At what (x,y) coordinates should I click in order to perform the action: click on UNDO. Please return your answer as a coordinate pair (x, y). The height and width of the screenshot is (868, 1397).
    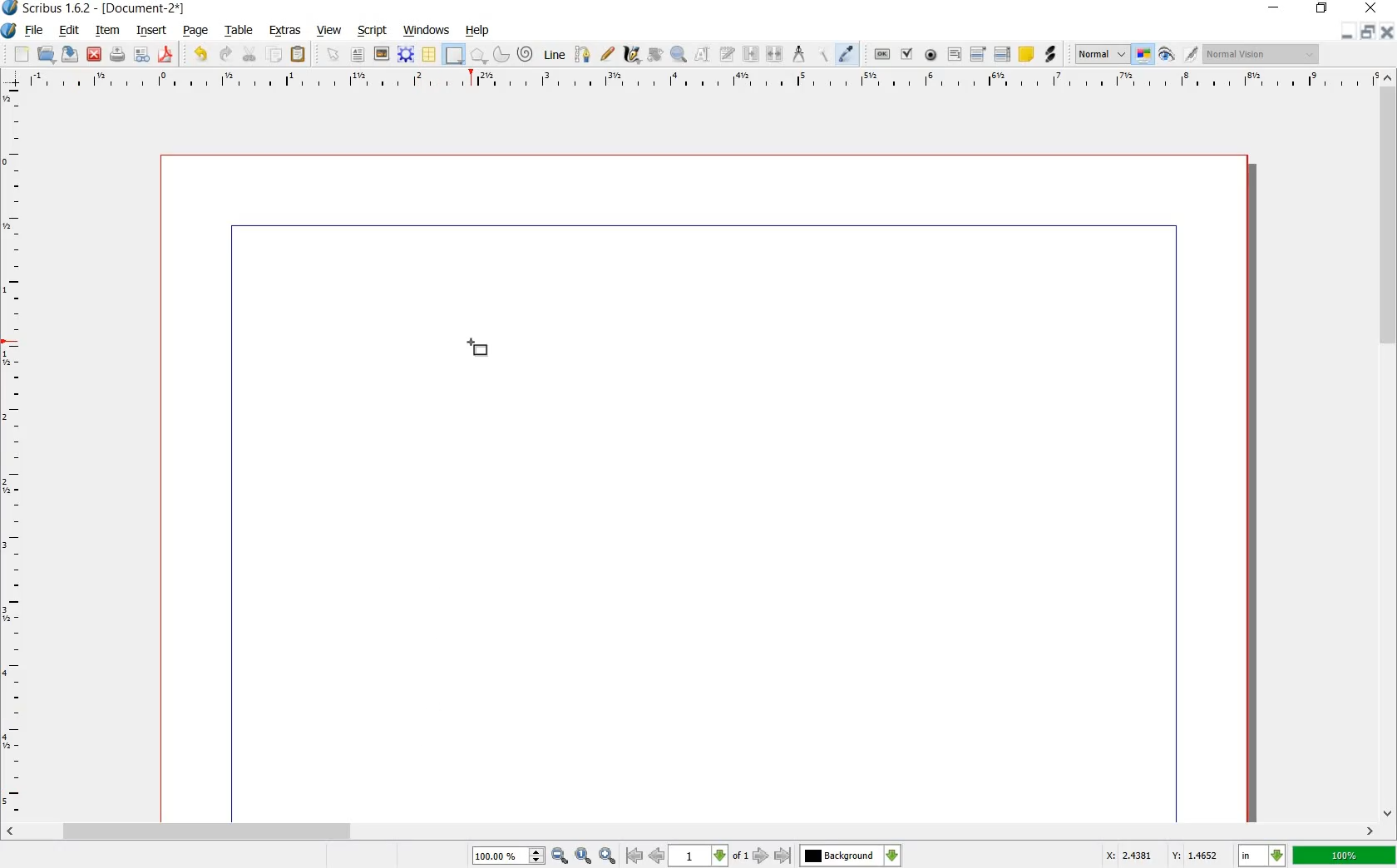
    Looking at the image, I should click on (198, 55).